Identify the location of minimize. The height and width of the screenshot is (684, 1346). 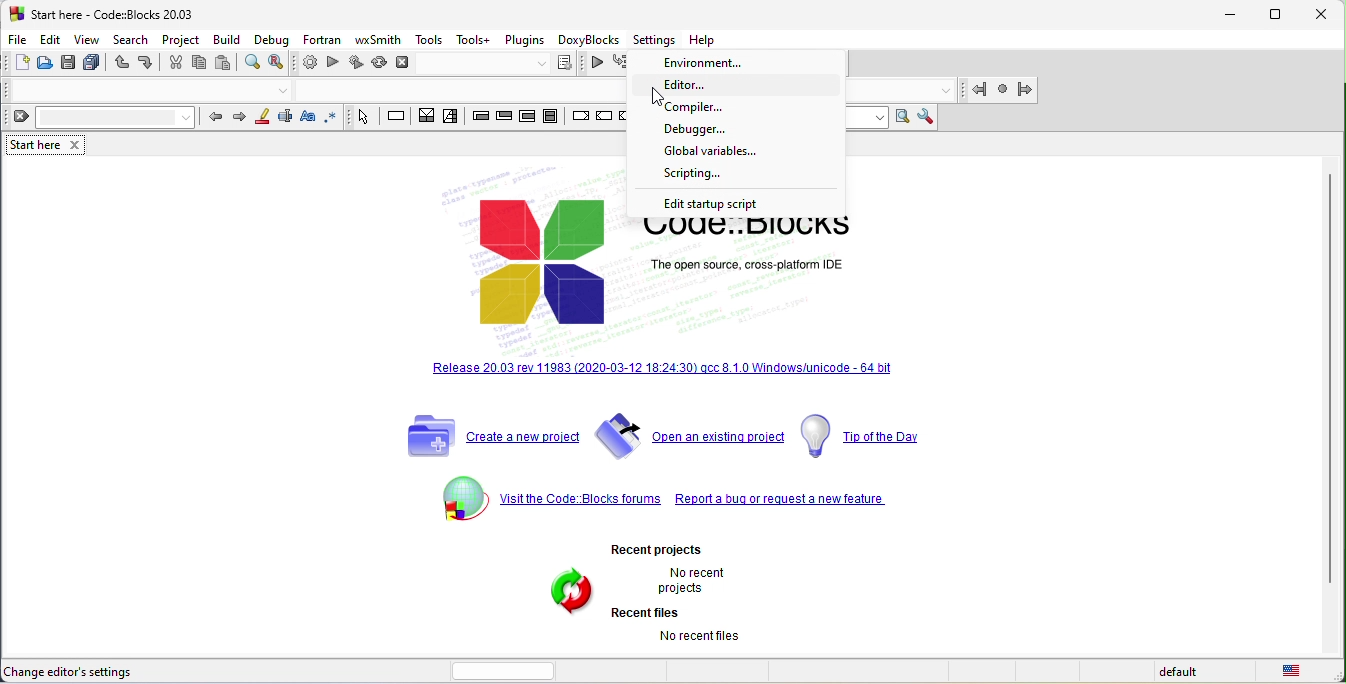
(1233, 16).